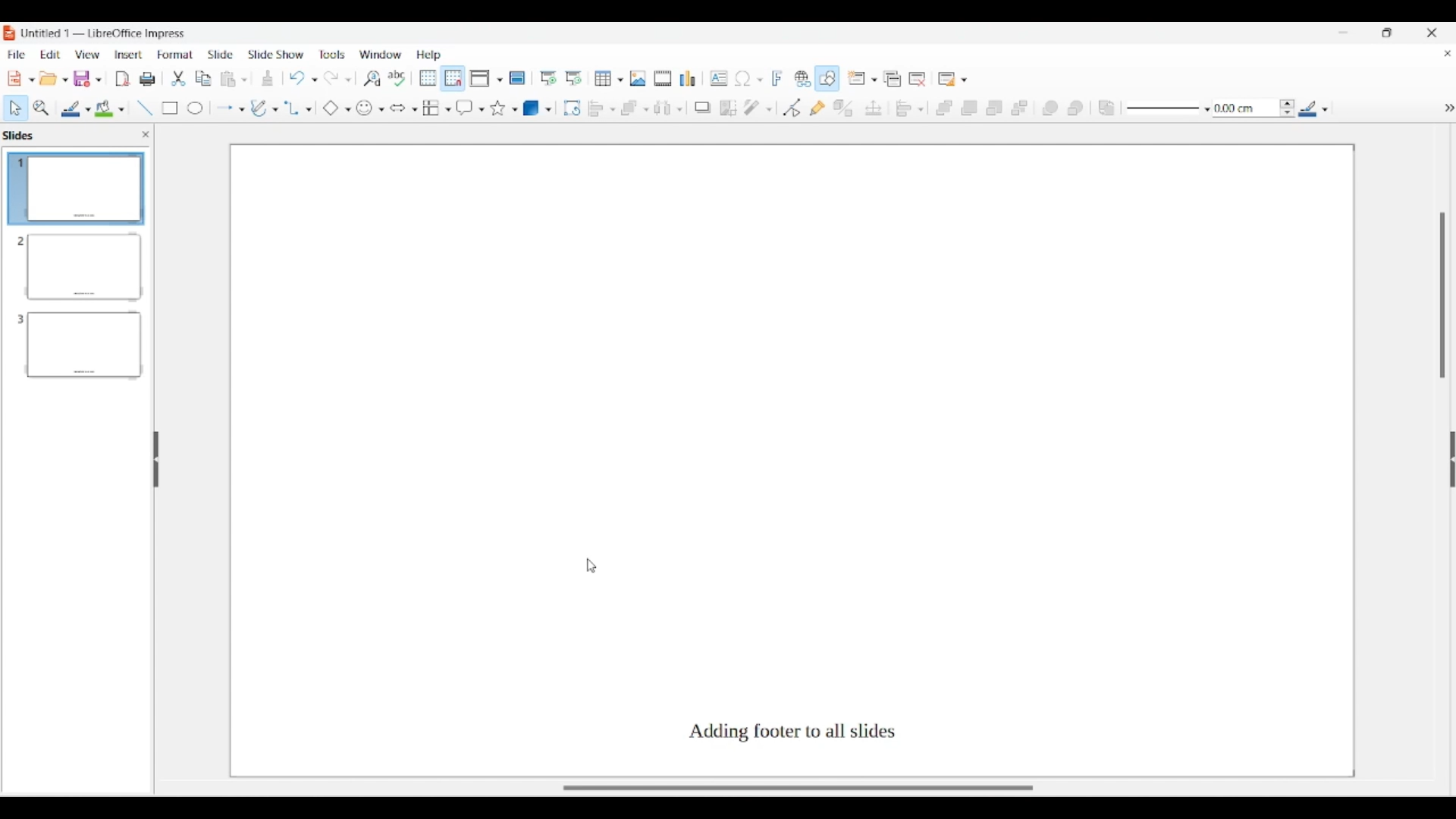  I want to click on New slide options, so click(862, 78).